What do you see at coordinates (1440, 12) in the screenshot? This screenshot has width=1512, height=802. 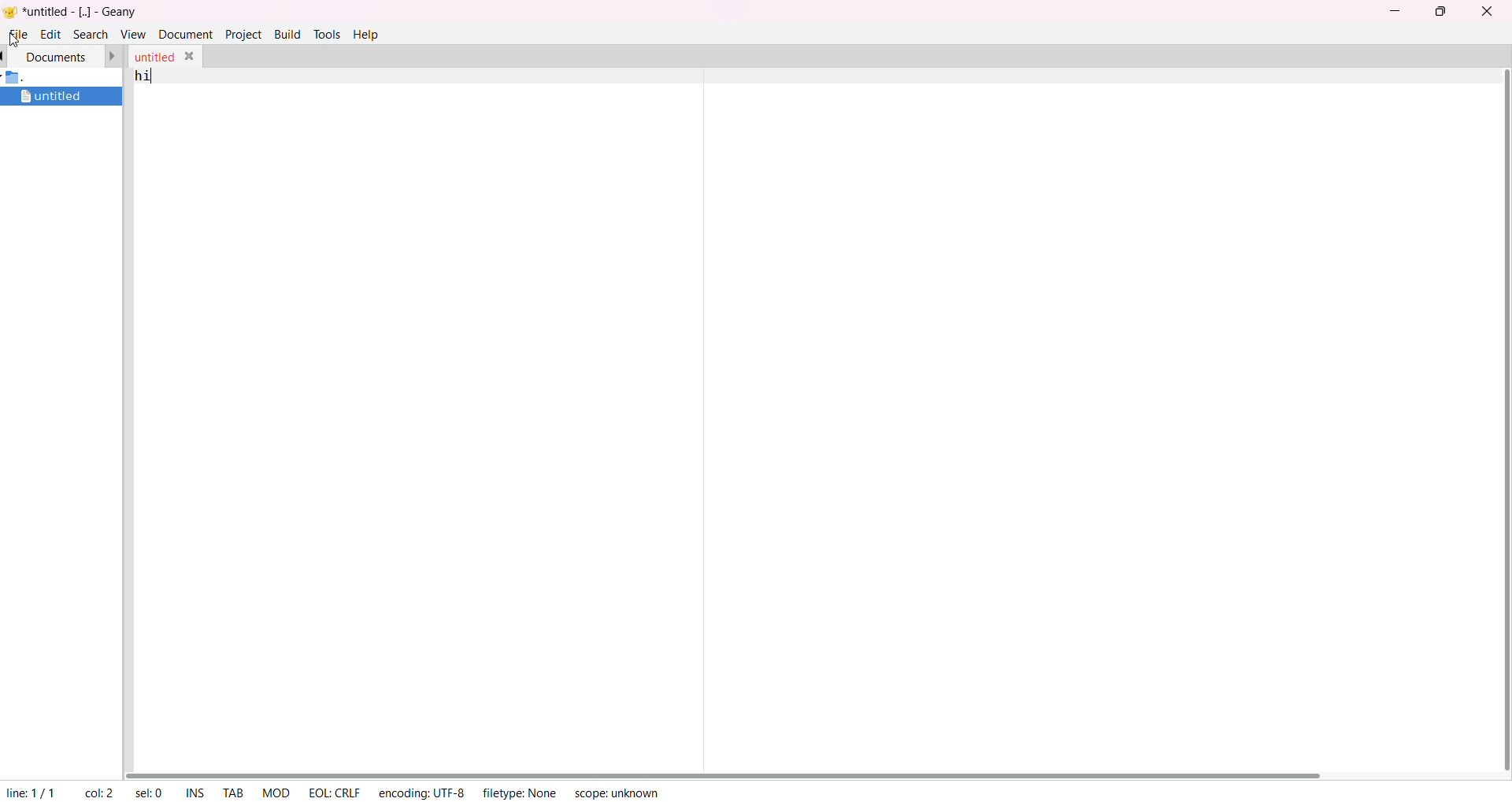 I see `maximize` at bounding box center [1440, 12].